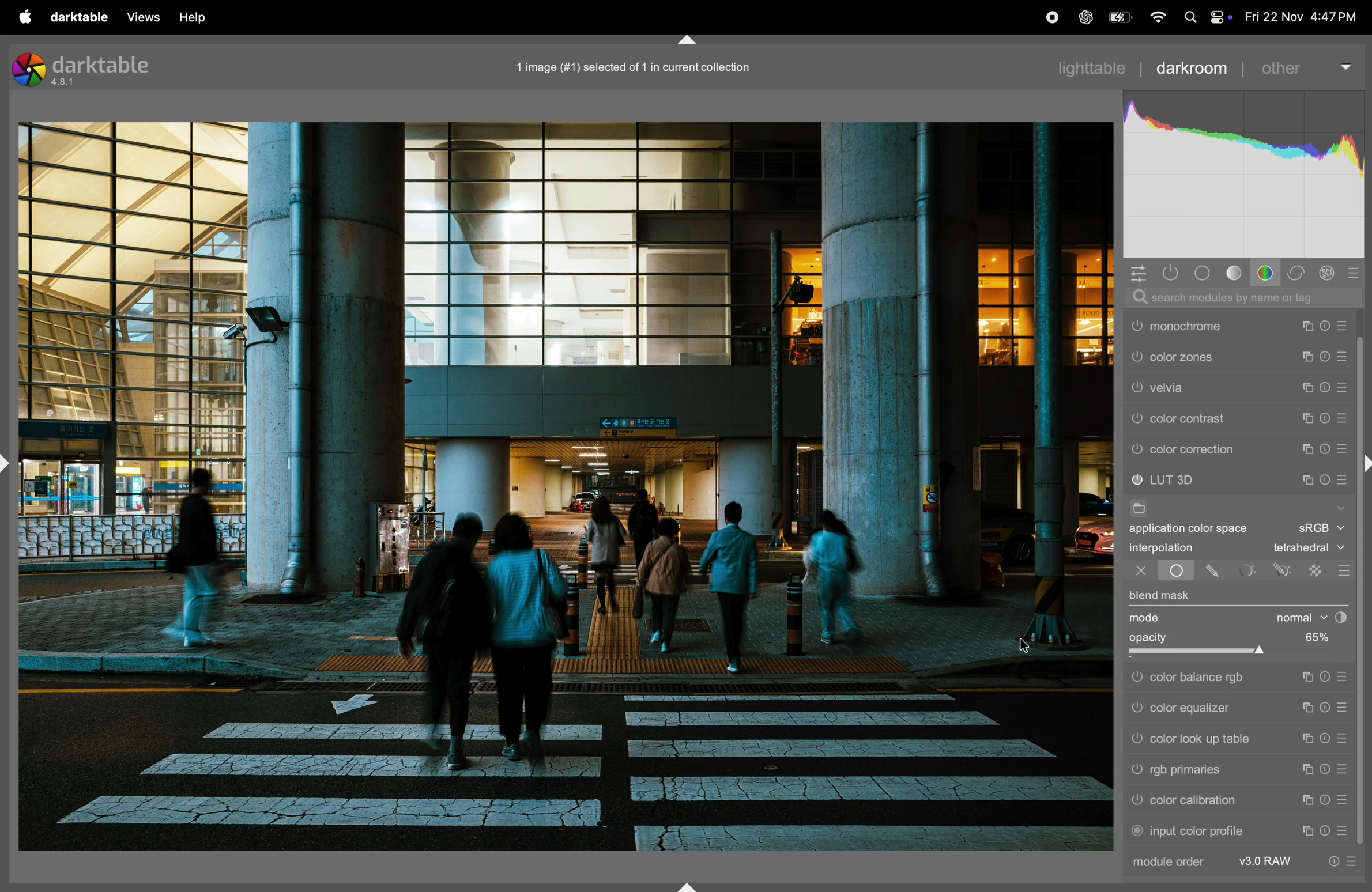  What do you see at coordinates (25, 16) in the screenshot?
I see `apple menu` at bounding box center [25, 16].